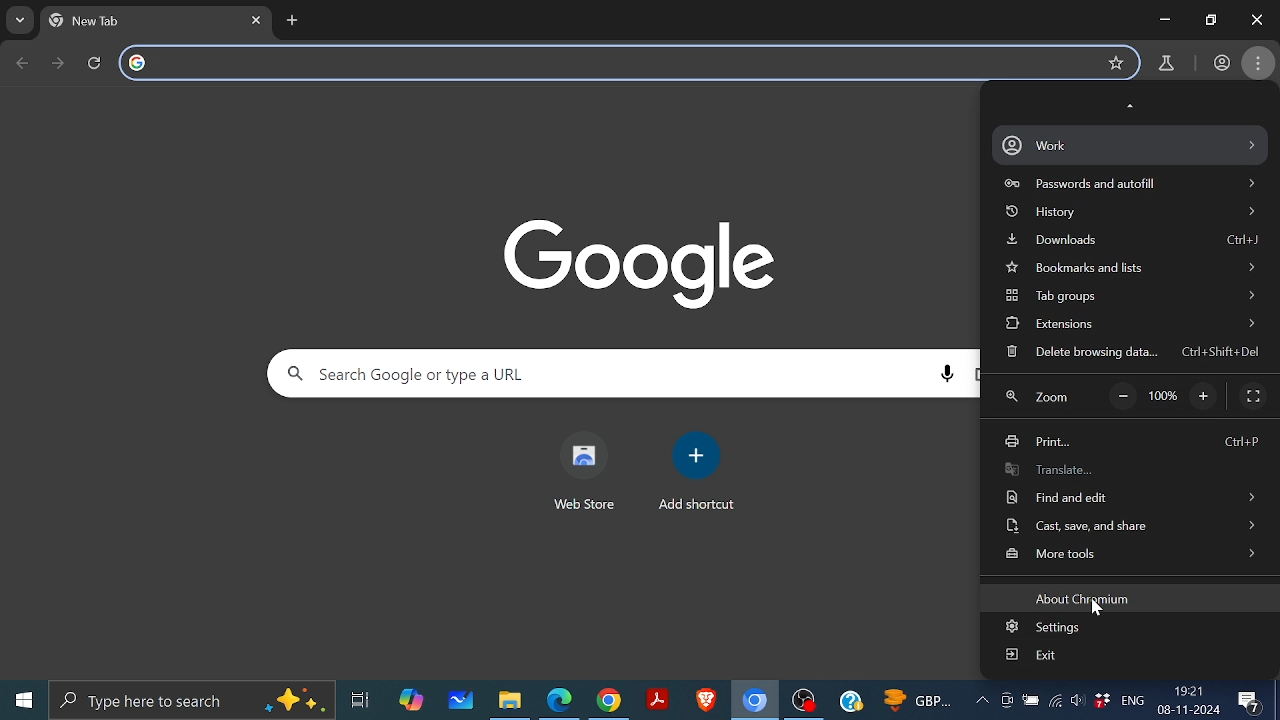 The image size is (1280, 720). Describe the element at coordinates (559, 699) in the screenshot. I see `Microsoft edge` at that location.